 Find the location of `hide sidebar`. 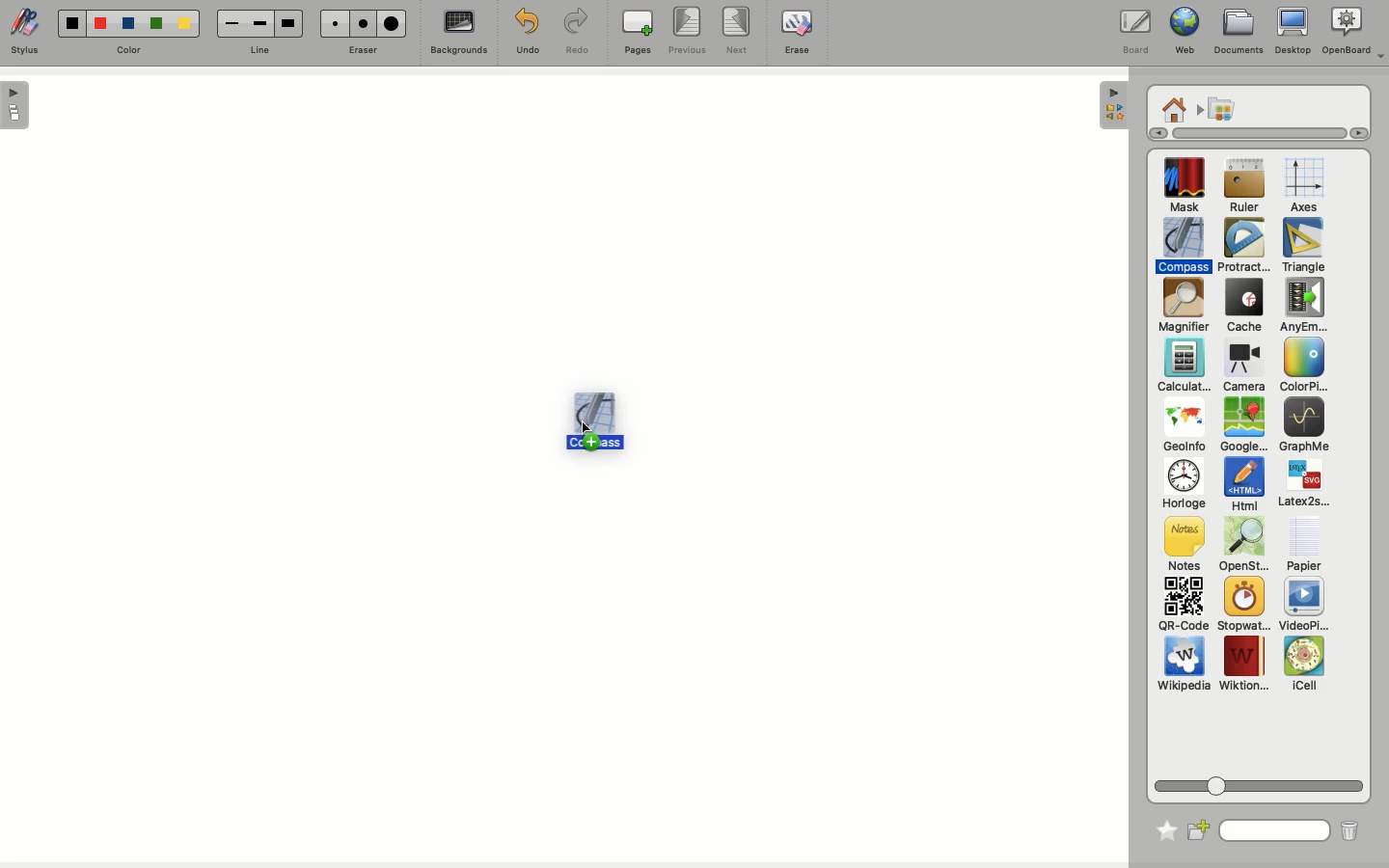

hide sidebar is located at coordinates (1111, 105).